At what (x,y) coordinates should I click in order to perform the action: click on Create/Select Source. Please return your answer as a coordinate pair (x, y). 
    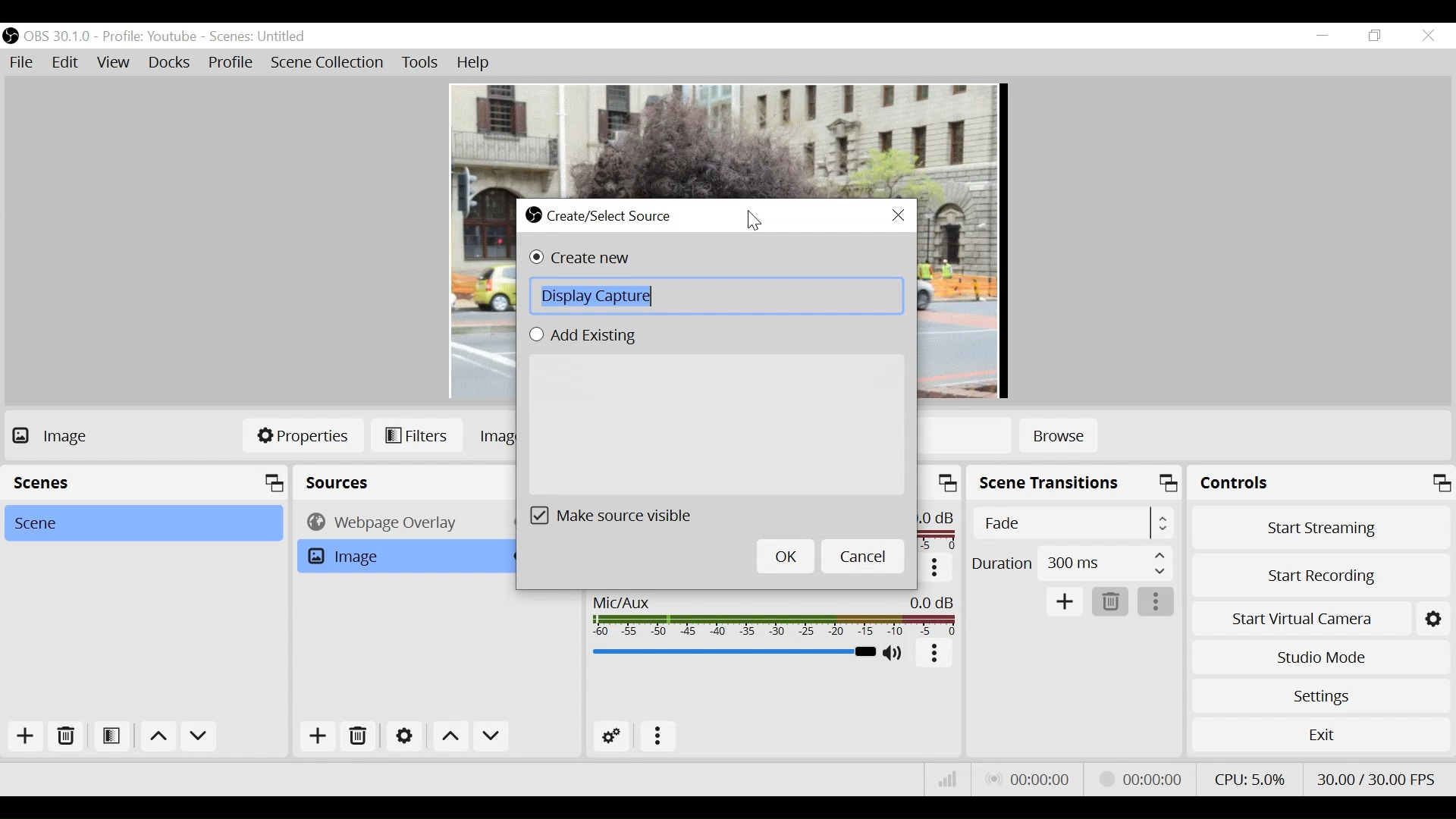
    Looking at the image, I should click on (601, 216).